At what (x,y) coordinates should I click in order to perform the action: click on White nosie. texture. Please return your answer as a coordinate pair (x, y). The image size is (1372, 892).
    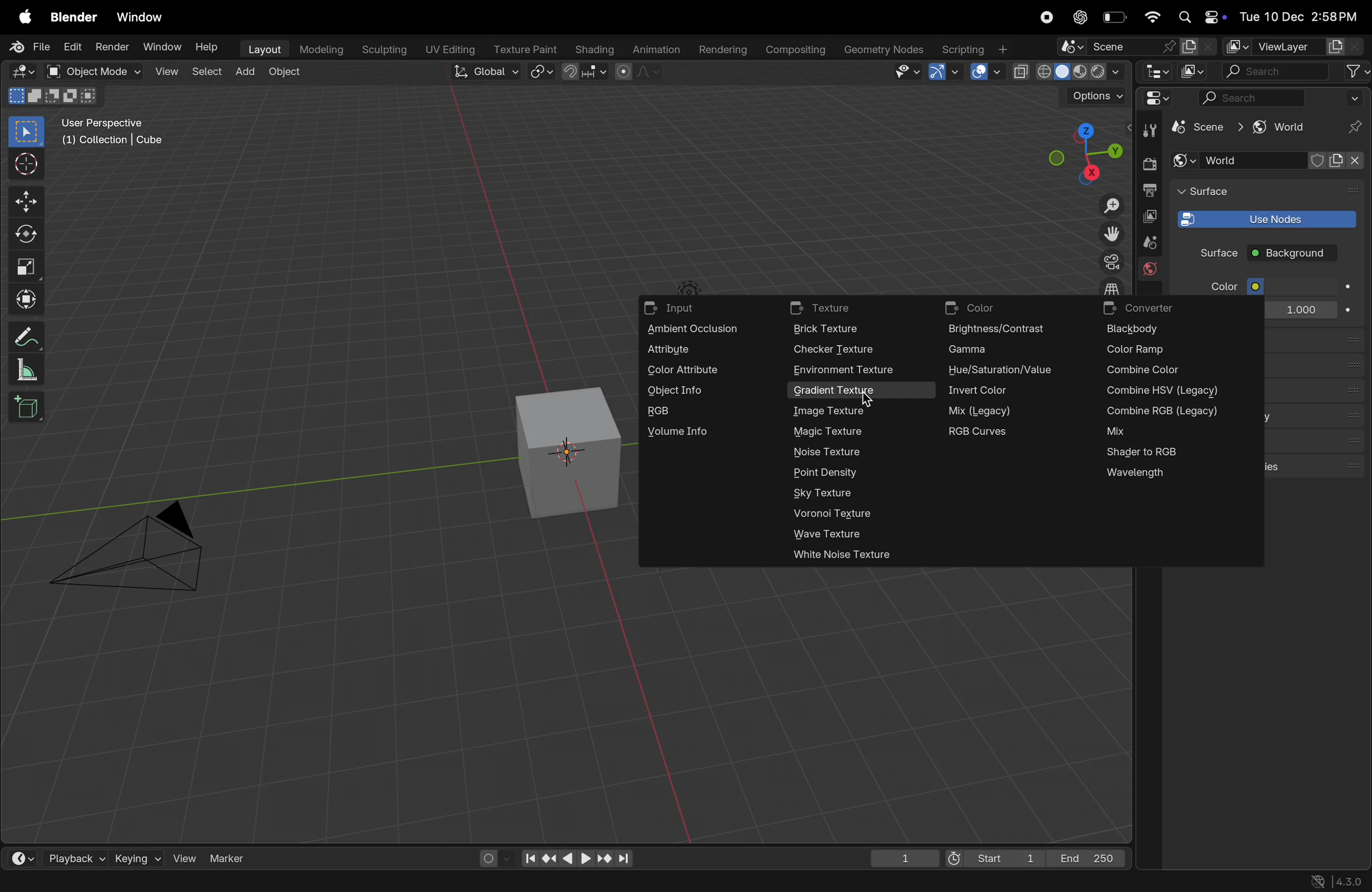
    Looking at the image, I should click on (850, 554).